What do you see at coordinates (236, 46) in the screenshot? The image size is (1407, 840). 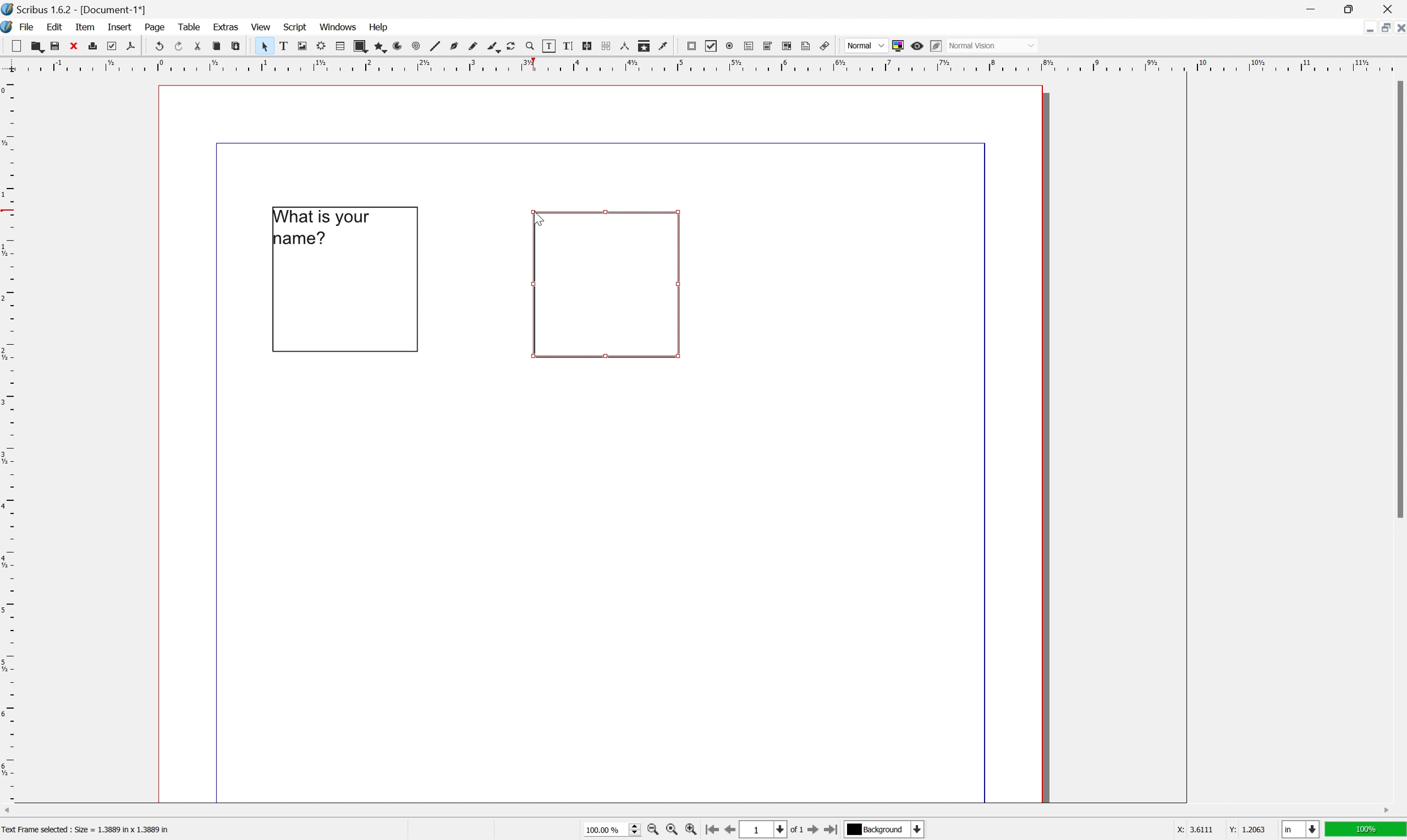 I see `paste` at bounding box center [236, 46].